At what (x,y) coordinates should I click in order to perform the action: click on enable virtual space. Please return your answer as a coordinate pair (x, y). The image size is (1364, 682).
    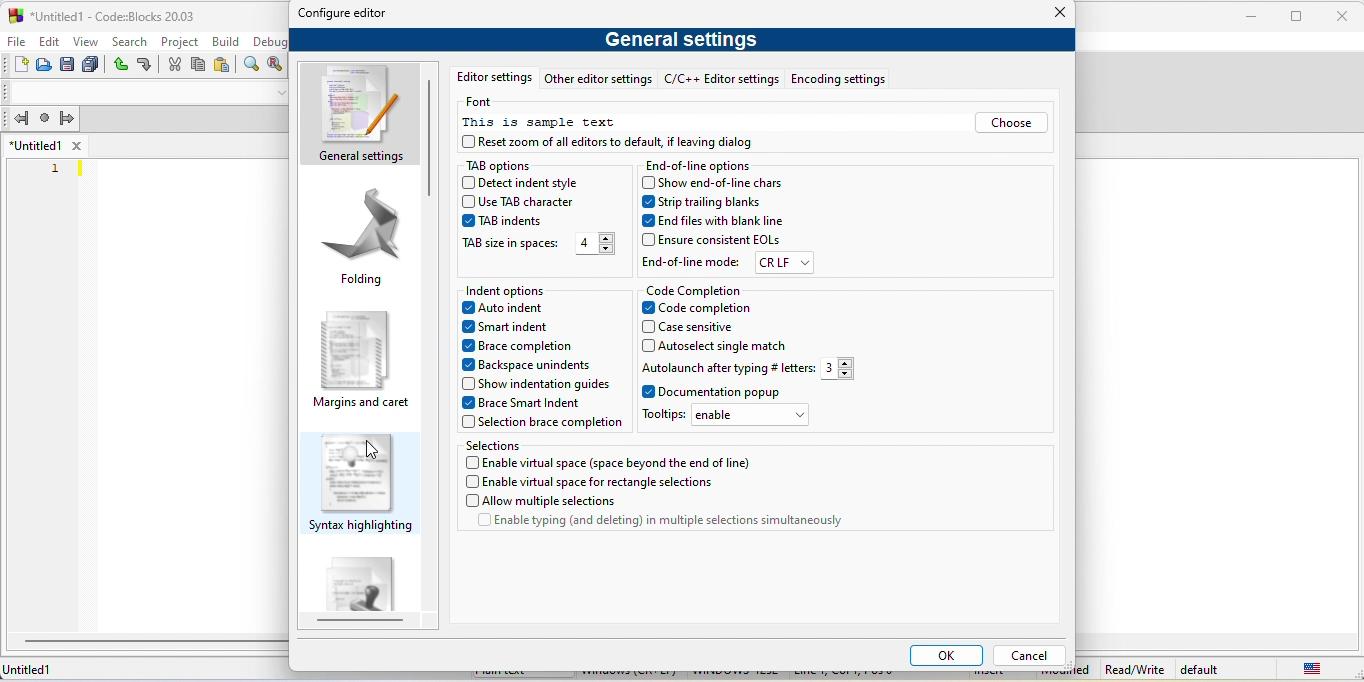
    Looking at the image, I should click on (617, 463).